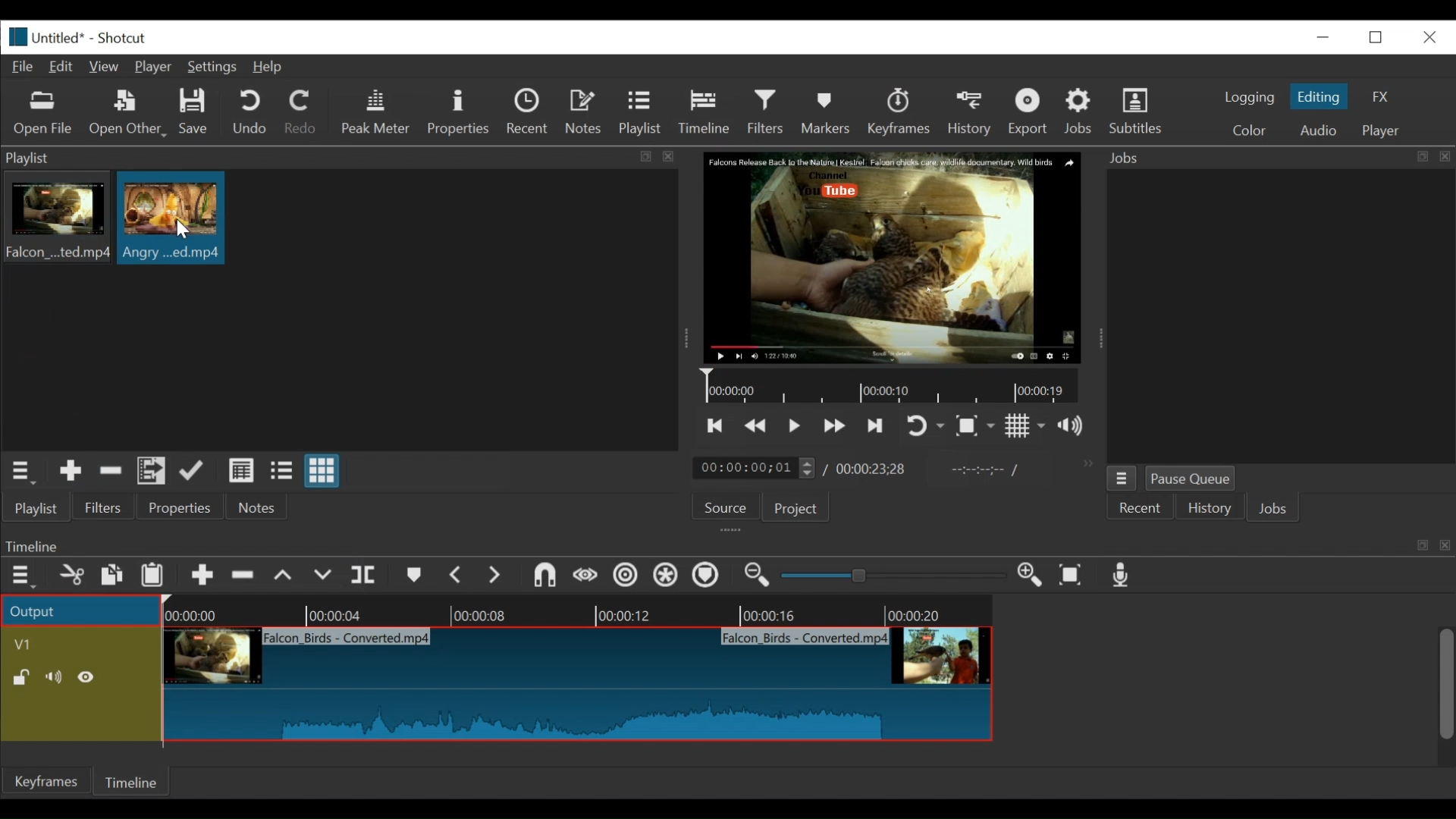 Image resolution: width=1456 pixels, height=819 pixels. What do you see at coordinates (756, 469) in the screenshot?
I see `current duration` at bounding box center [756, 469].